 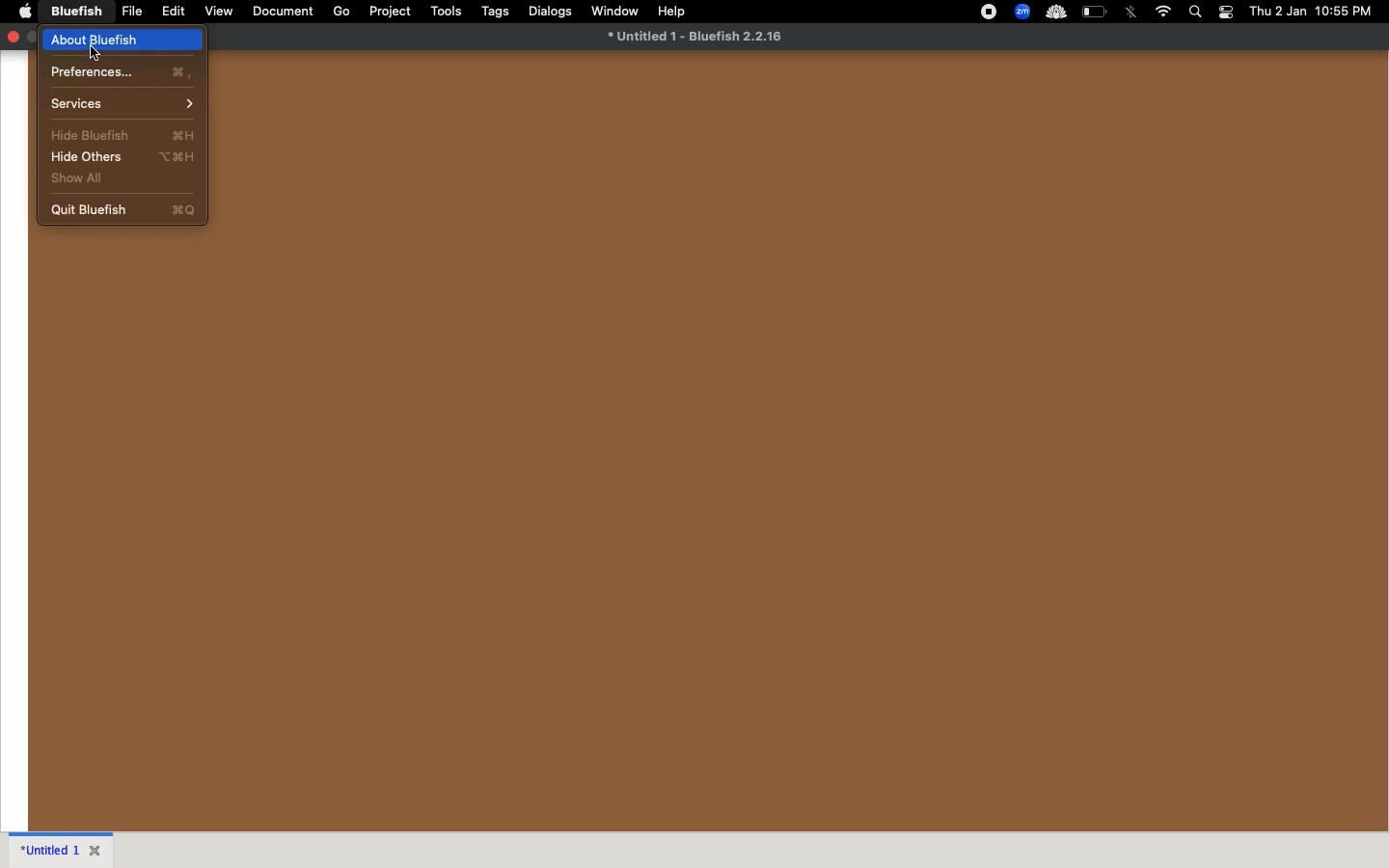 I want to click on bluetooth, so click(x=1132, y=12).